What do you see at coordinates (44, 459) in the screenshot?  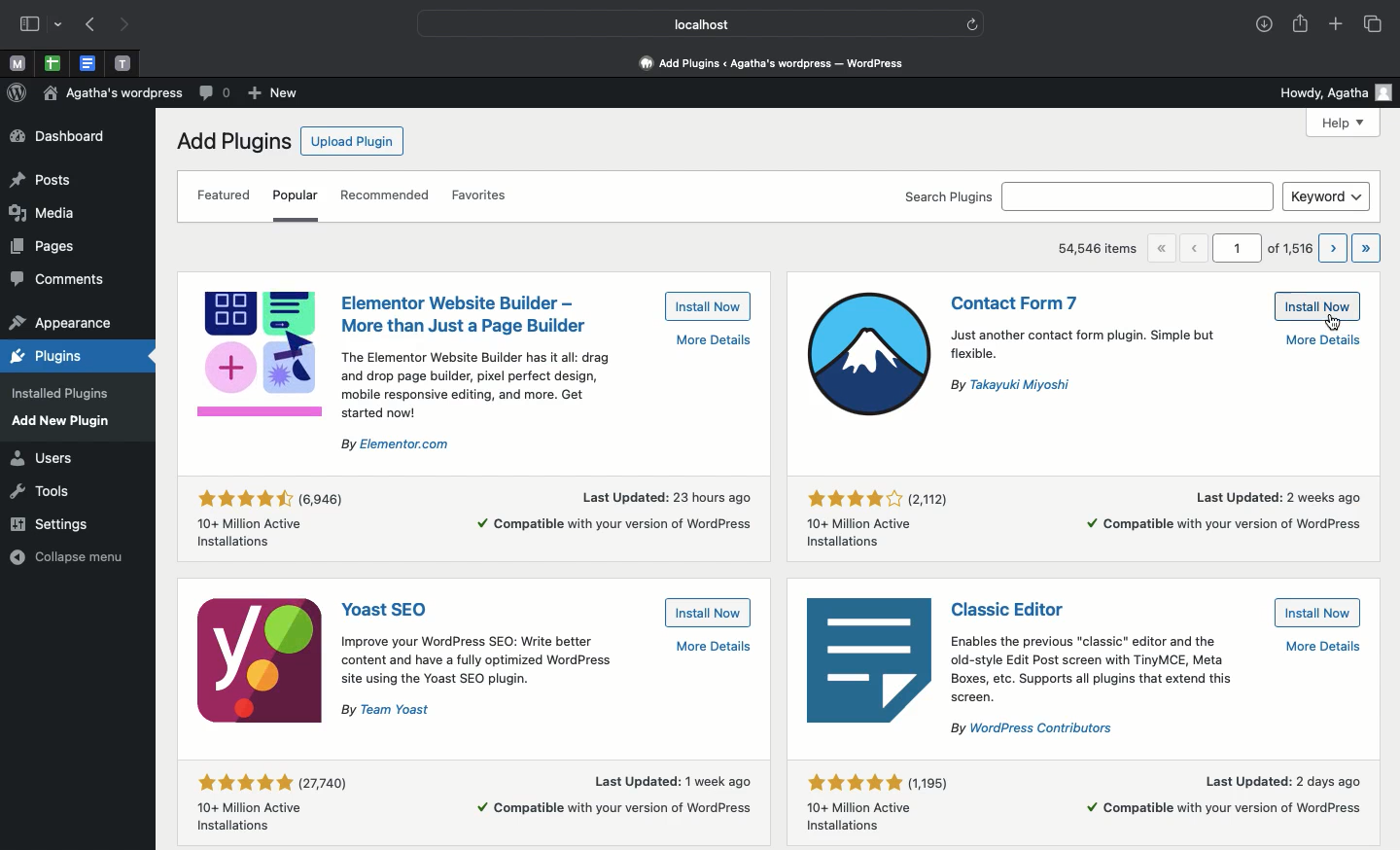 I see `users` at bounding box center [44, 459].